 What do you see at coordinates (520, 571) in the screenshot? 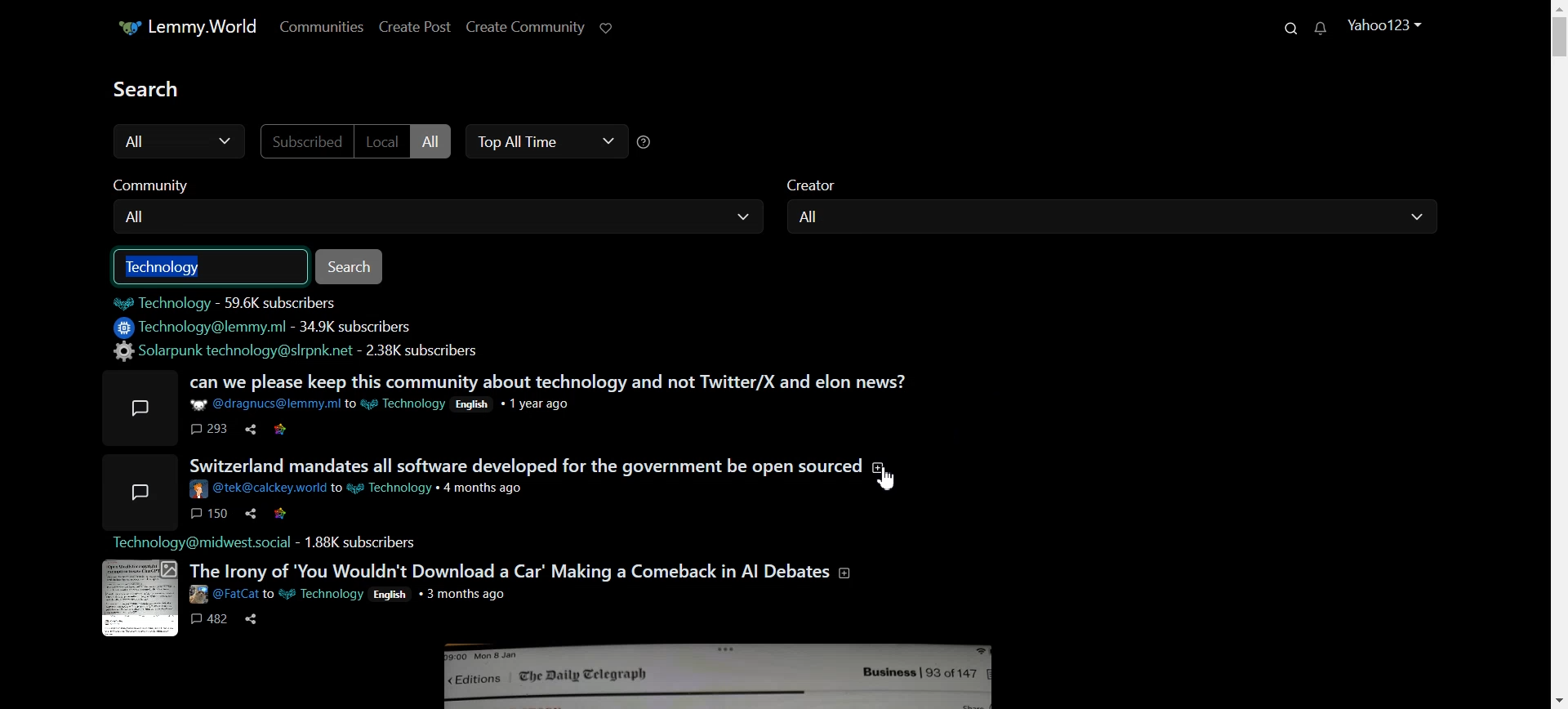
I see `The Irony of "You Wouldn't Download a Car’ Making a Comeback in Al Debates` at bounding box center [520, 571].